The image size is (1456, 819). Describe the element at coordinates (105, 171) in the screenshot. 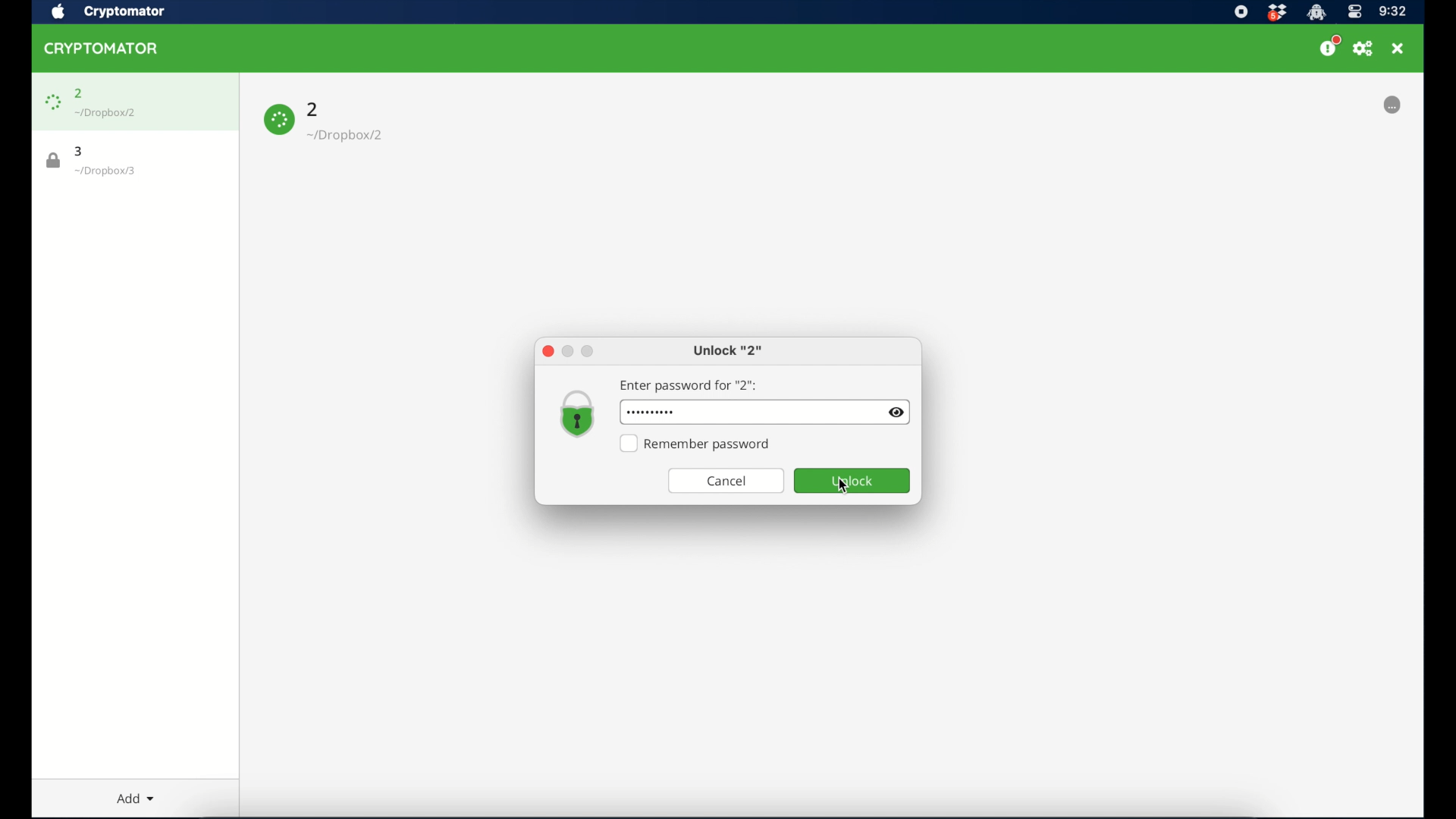

I see `vault location` at that location.